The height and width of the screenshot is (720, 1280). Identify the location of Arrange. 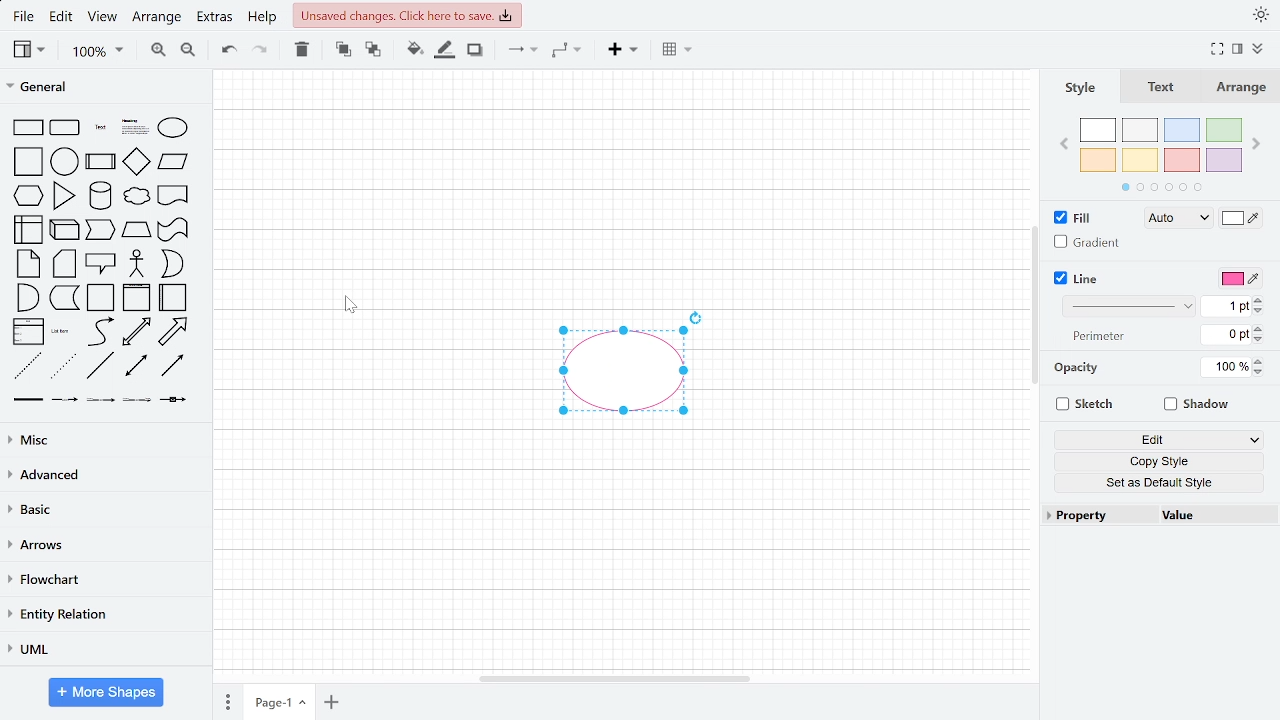
(1244, 89).